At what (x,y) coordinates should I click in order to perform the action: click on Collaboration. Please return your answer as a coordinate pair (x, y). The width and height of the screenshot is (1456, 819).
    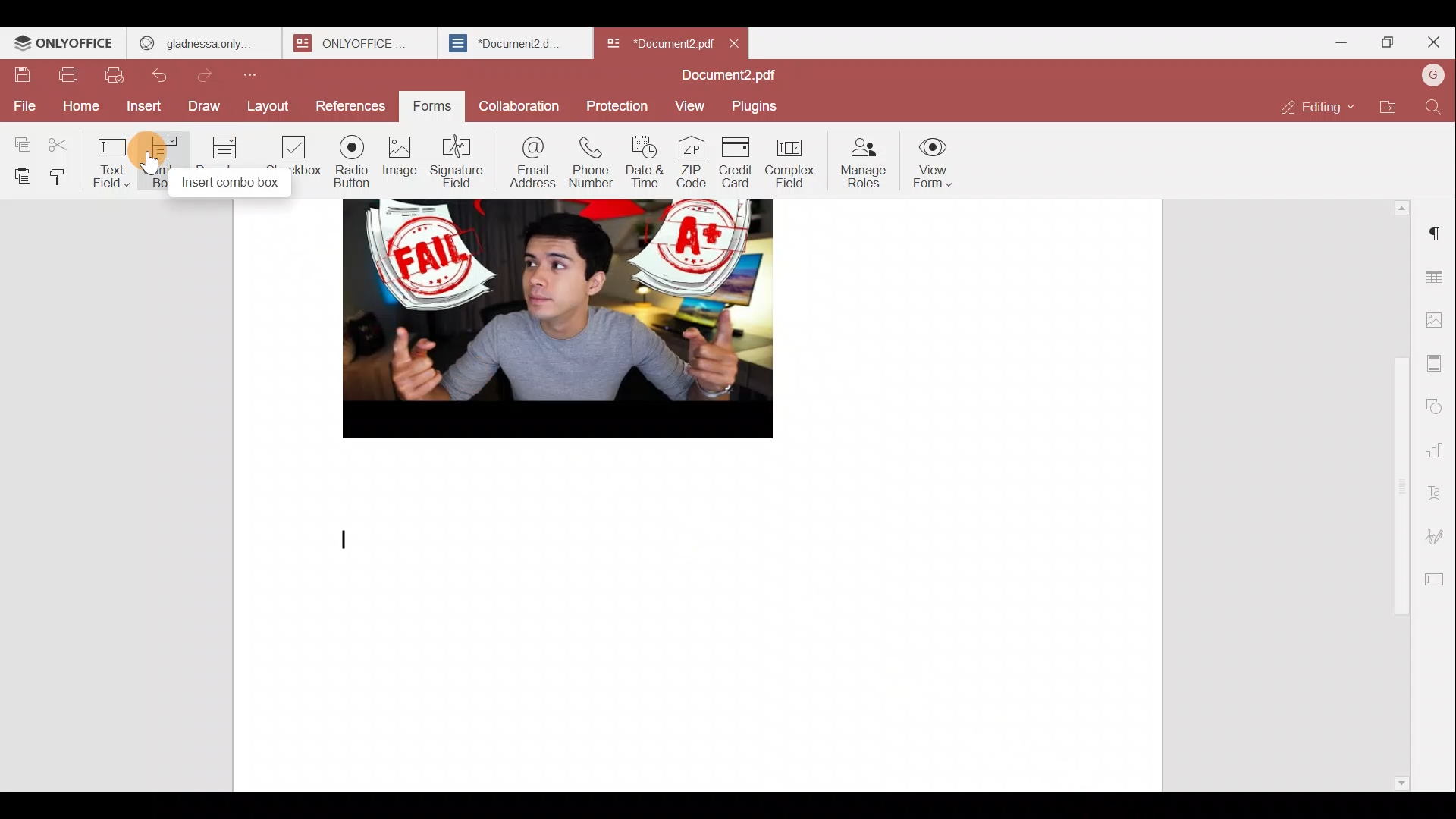
    Looking at the image, I should click on (518, 105).